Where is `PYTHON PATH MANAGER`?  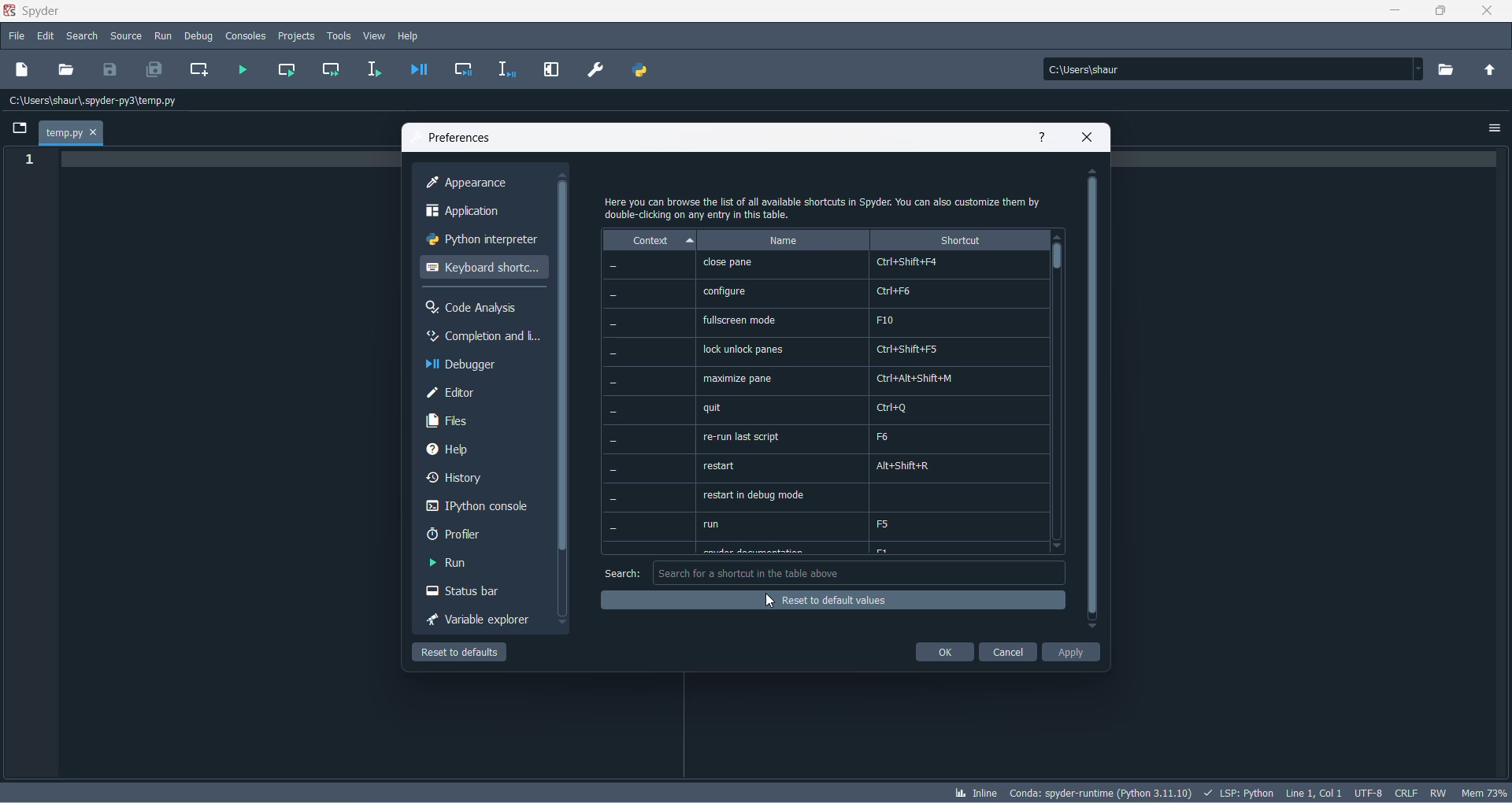
PYTHON PATH MANAGER is located at coordinates (639, 70).